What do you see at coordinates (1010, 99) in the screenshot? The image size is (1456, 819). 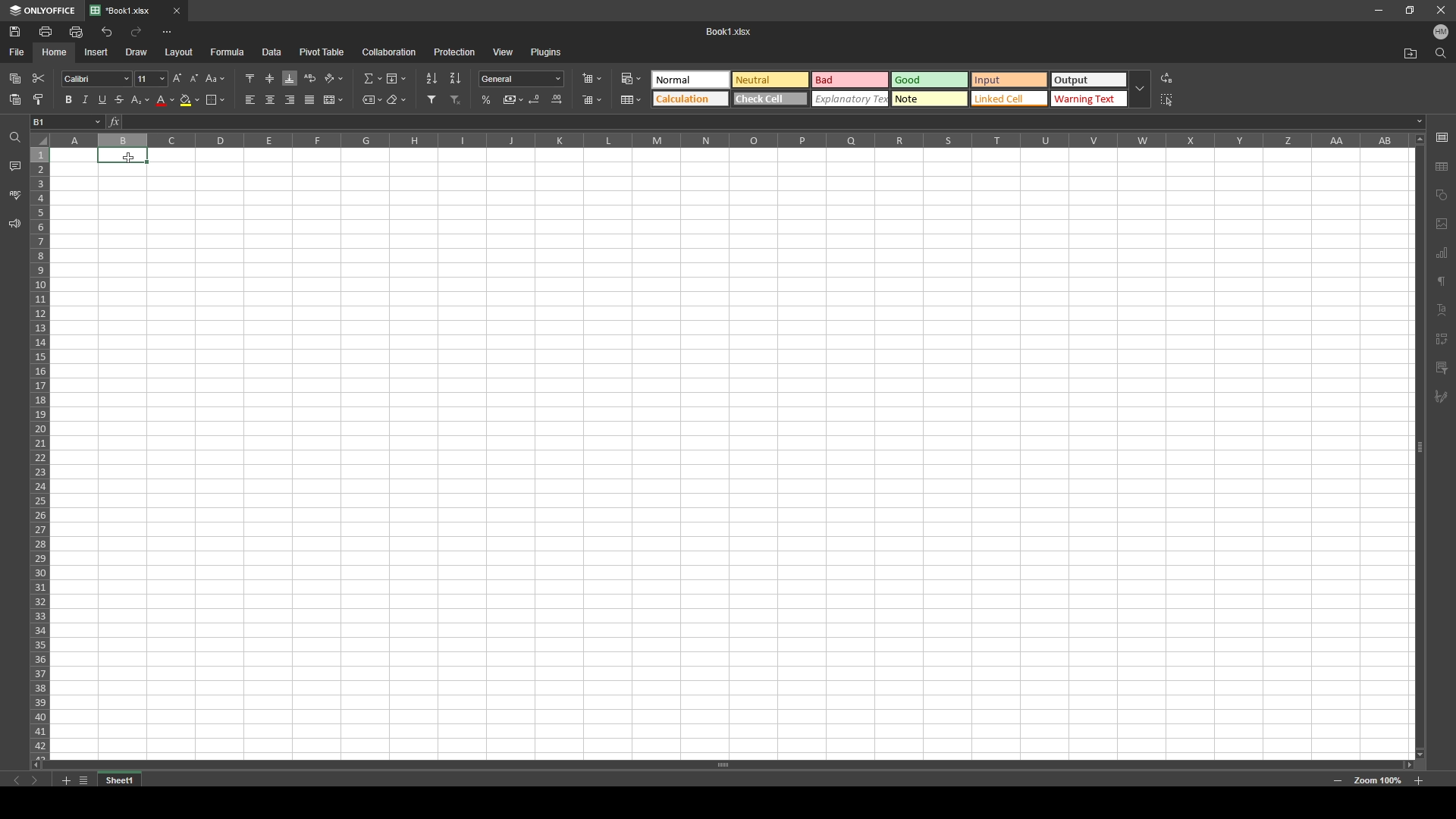 I see `Linked cell` at bounding box center [1010, 99].